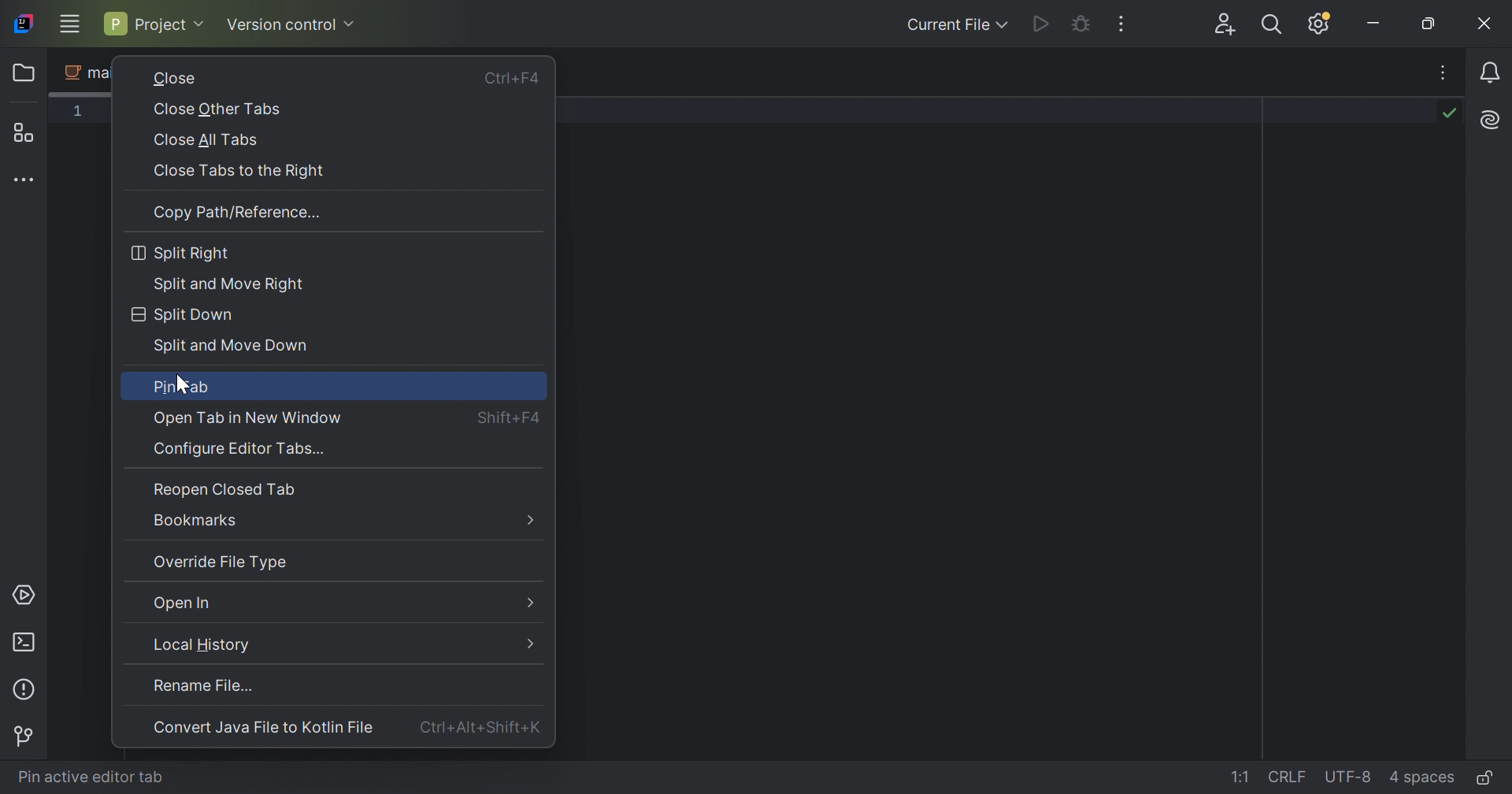  Describe the element at coordinates (264, 727) in the screenshot. I see `Convert JAVA file to Kotlin file` at that location.